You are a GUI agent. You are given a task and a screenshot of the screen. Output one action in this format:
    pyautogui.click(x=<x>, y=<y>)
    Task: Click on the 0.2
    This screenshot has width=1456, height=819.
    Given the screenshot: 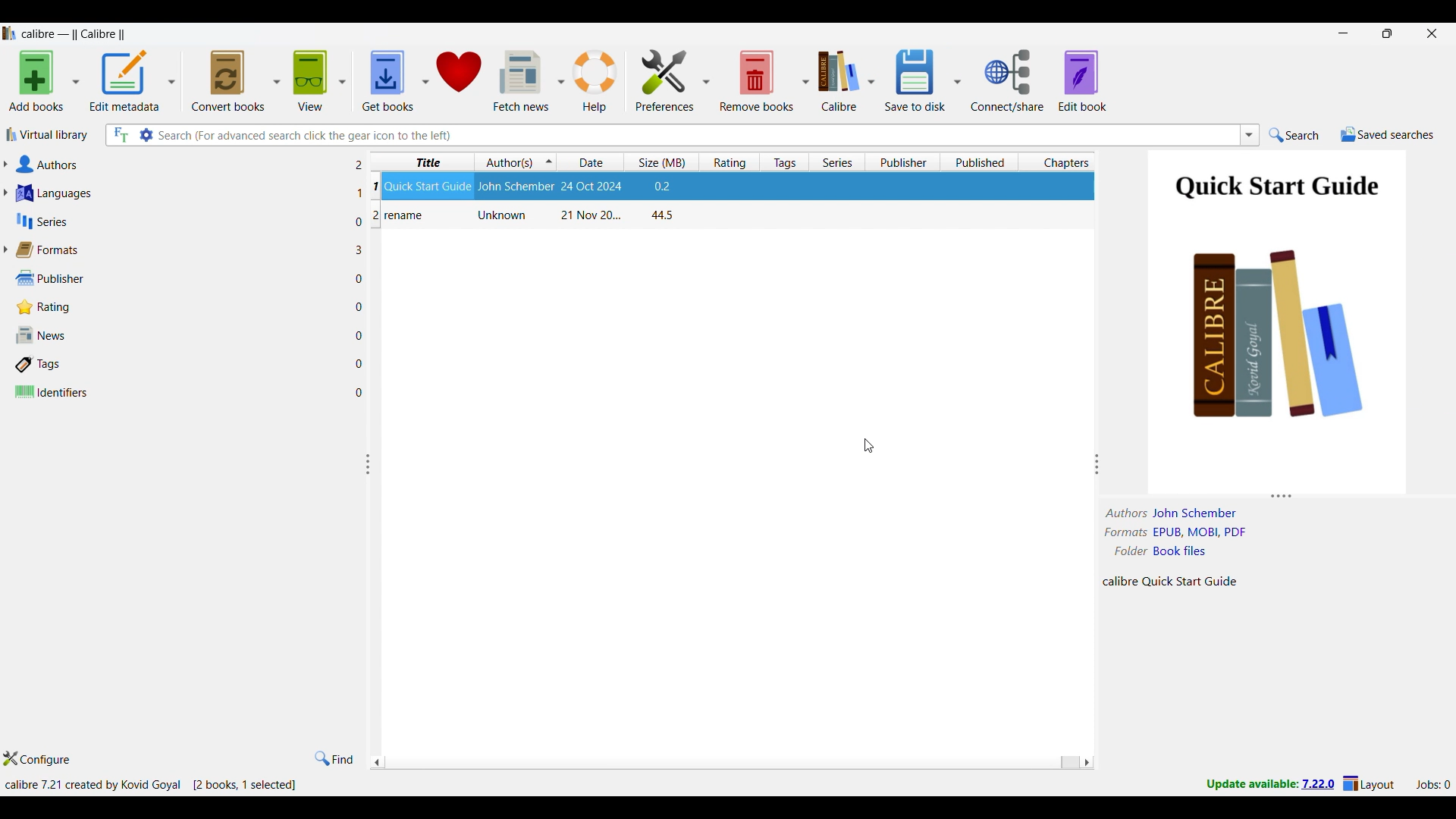 What is the action you would take?
    pyautogui.click(x=661, y=186)
    